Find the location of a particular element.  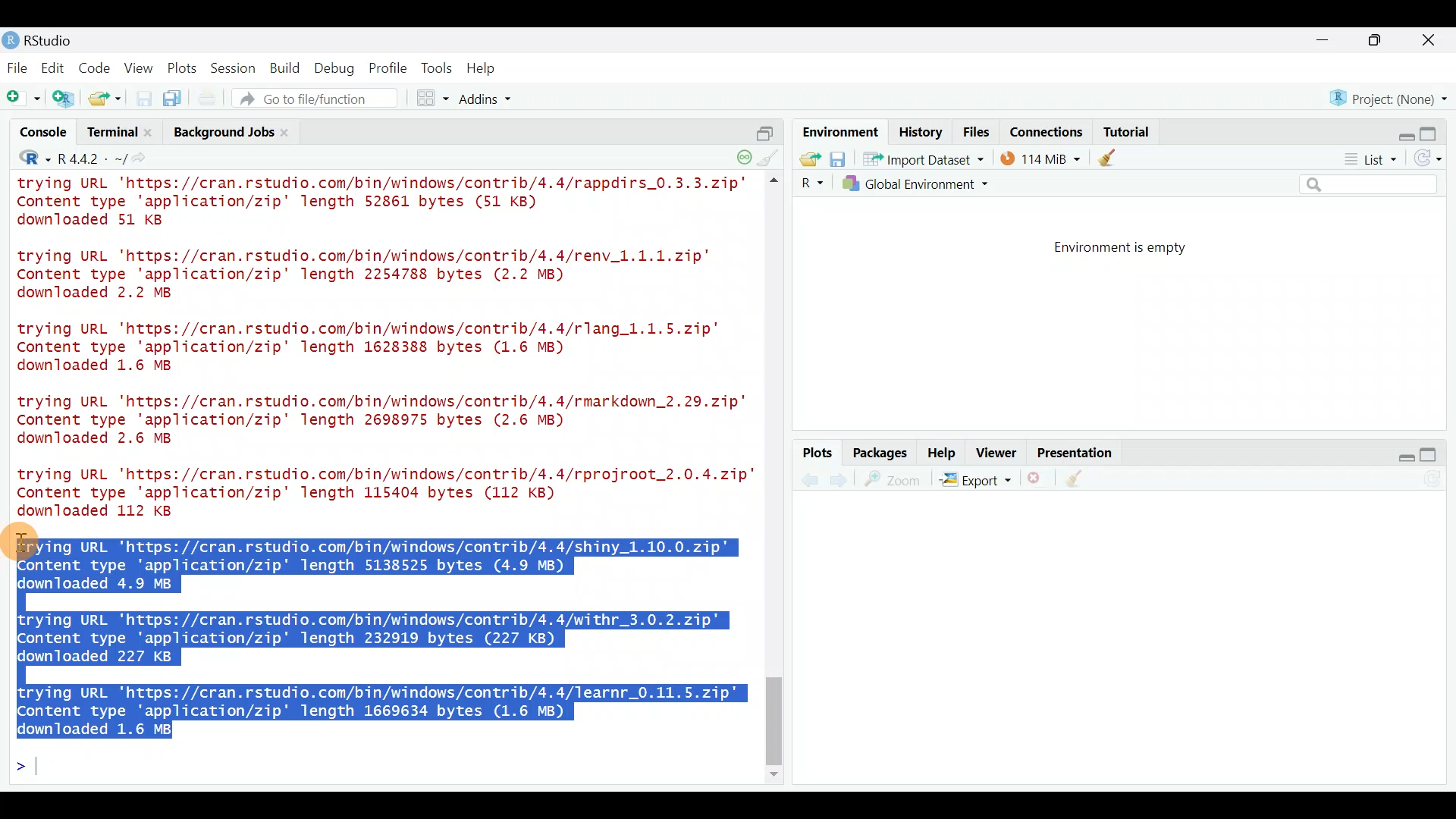

remove the current plot is located at coordinates (1037, 482).